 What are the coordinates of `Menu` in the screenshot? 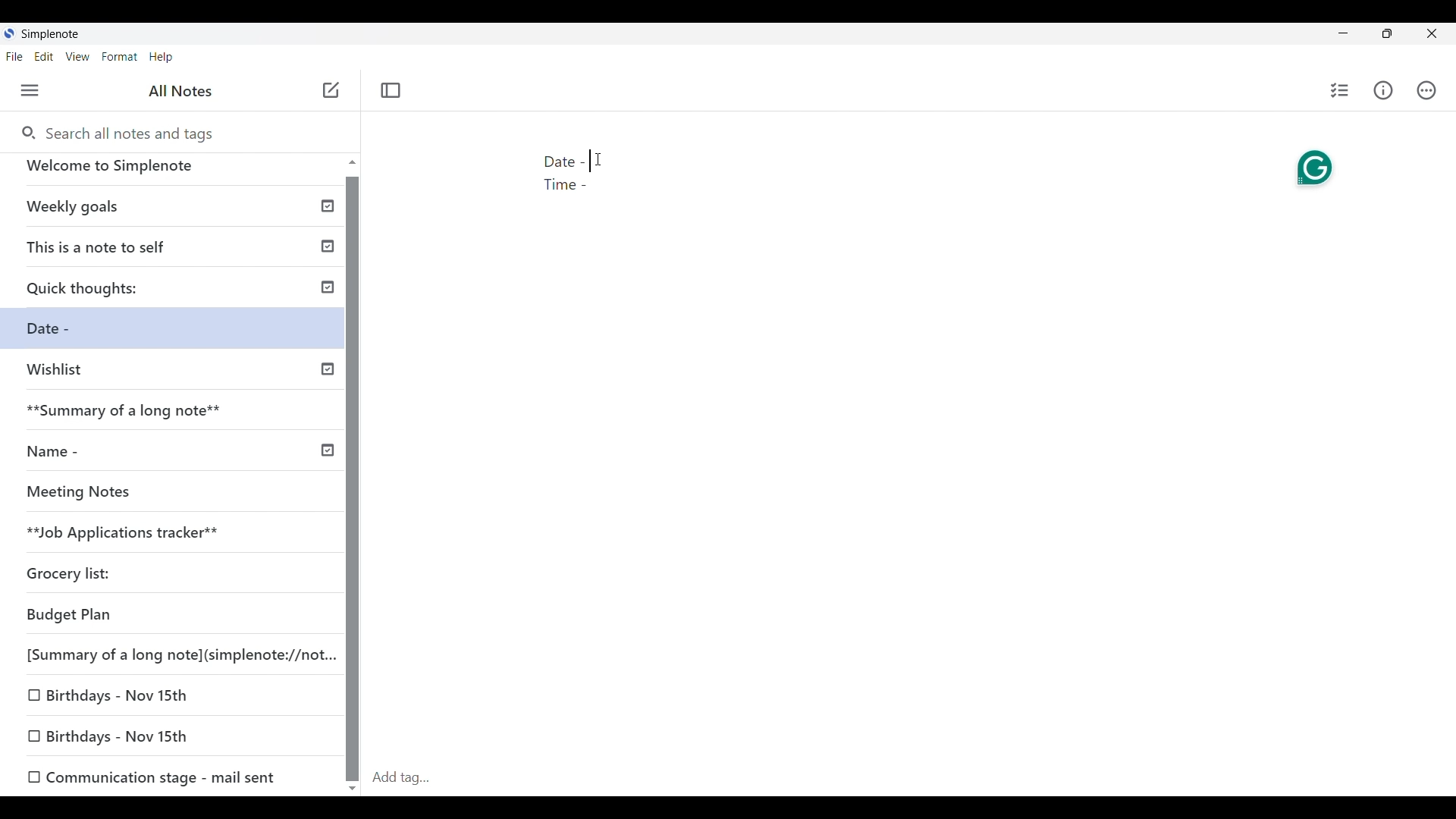 It's located at (30, 90).